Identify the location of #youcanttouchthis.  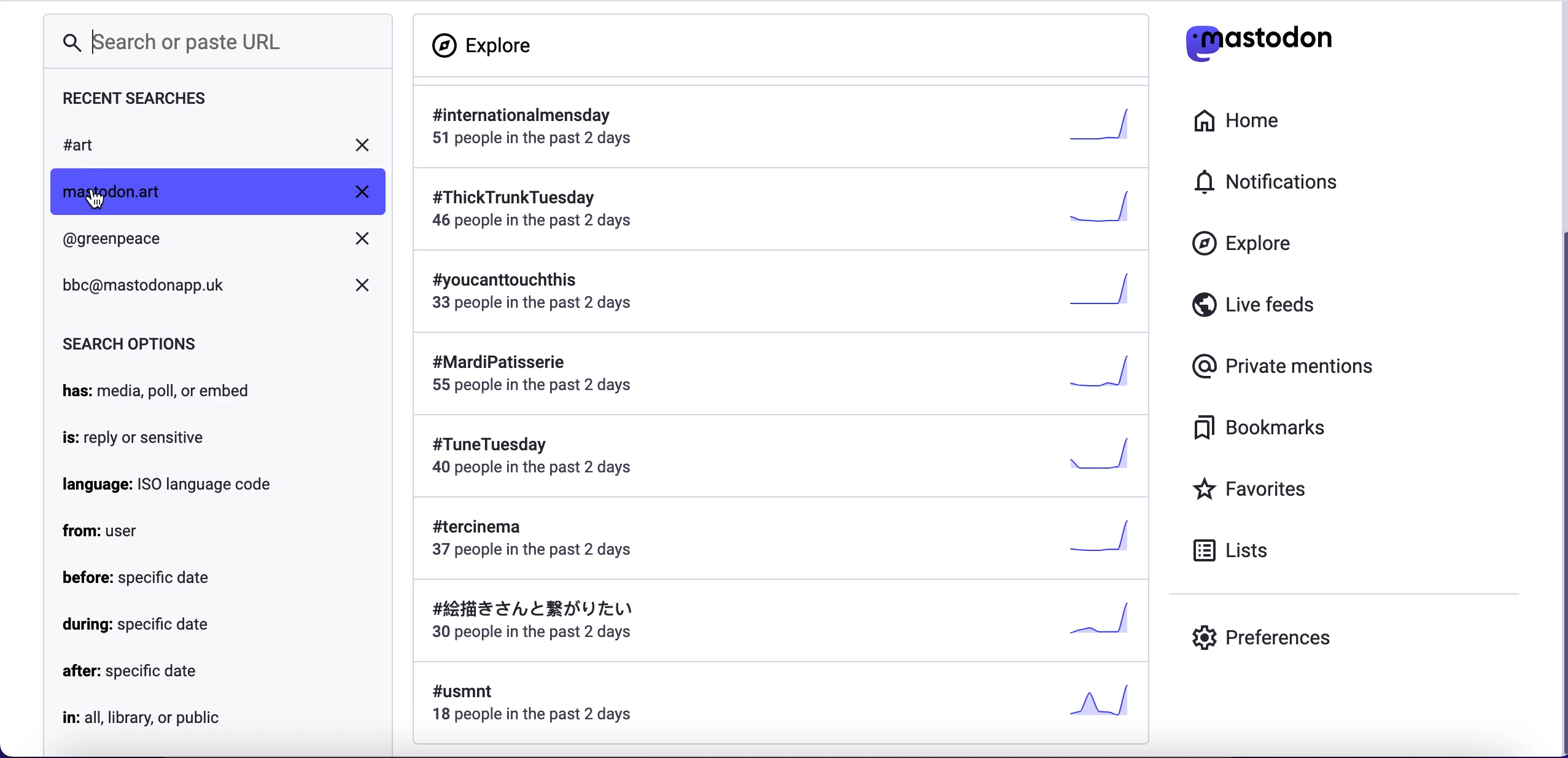
(779, 299).